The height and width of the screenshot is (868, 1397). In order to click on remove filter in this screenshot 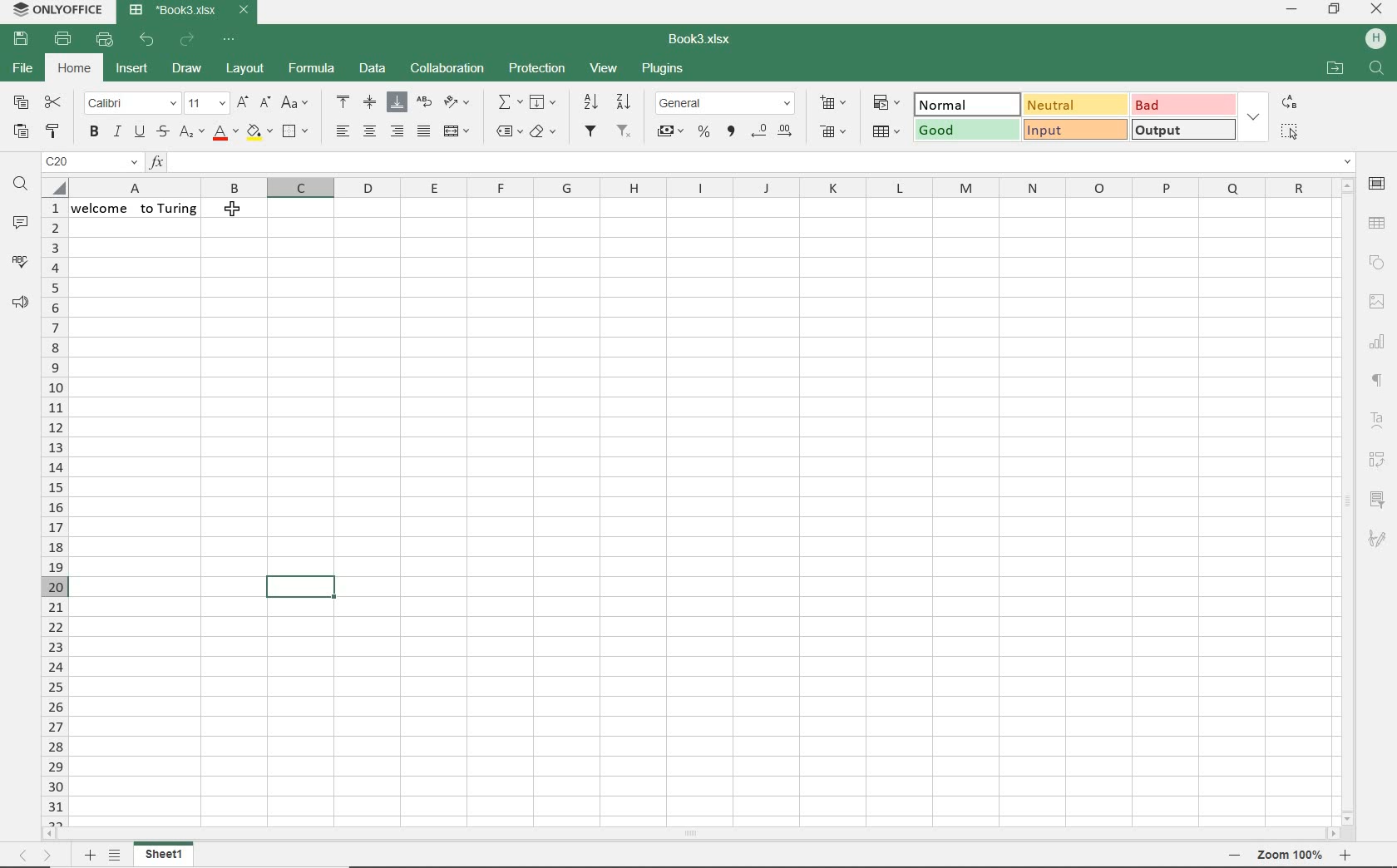, I will do `click(626, 133)`.